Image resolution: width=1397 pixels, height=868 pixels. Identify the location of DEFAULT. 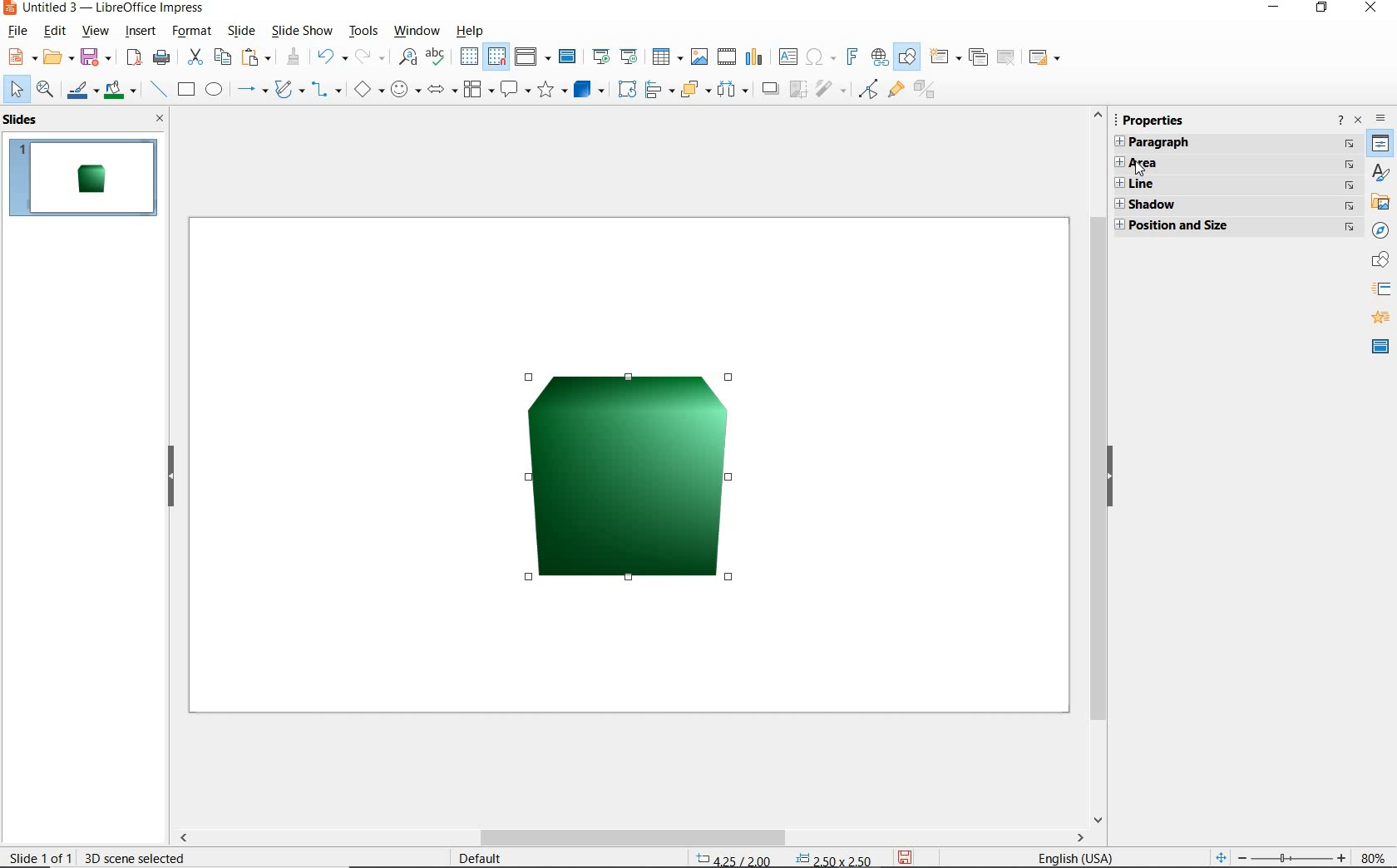
(484, 857).